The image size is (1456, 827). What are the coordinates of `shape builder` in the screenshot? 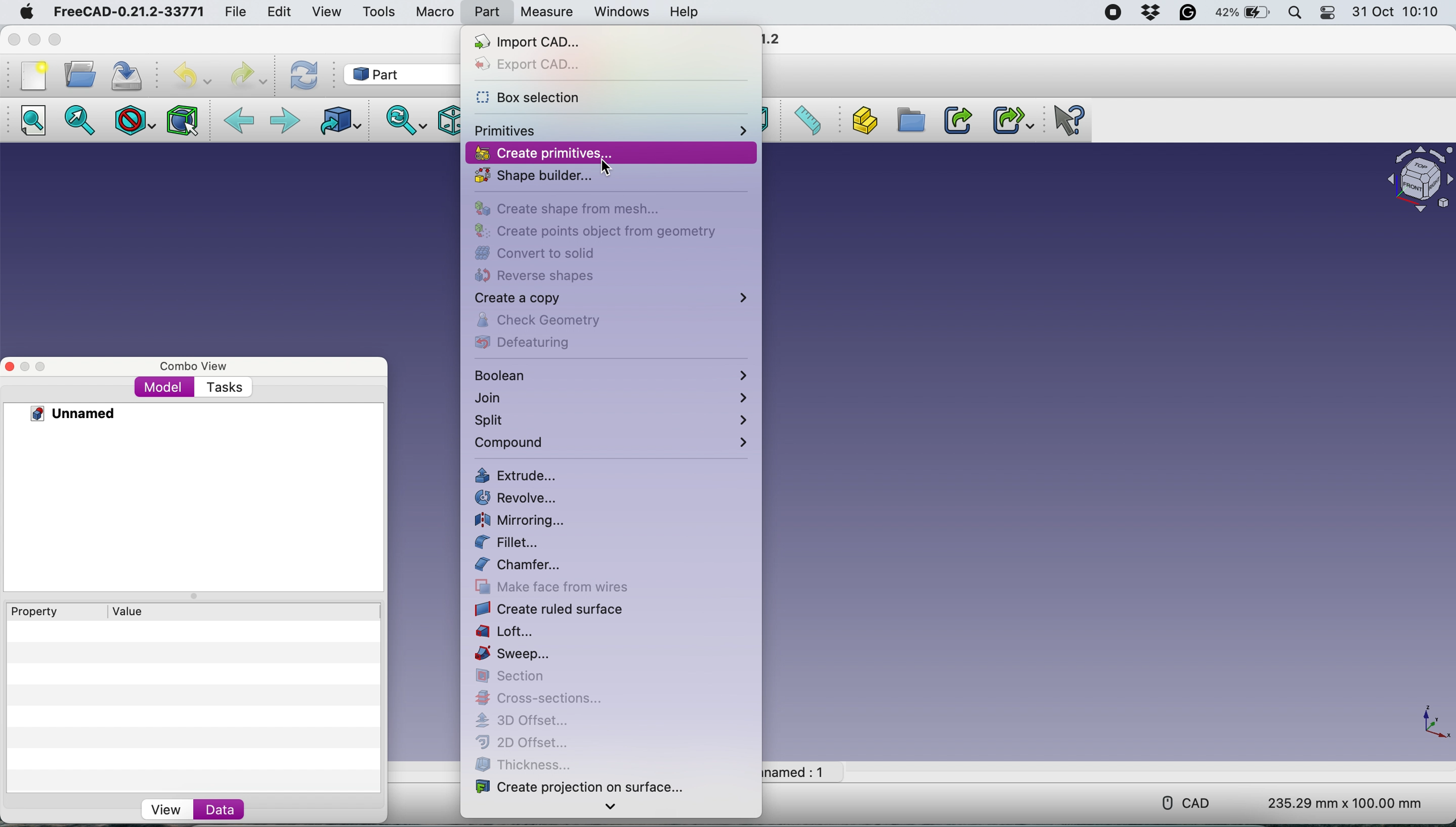 It's located at (530, 176).